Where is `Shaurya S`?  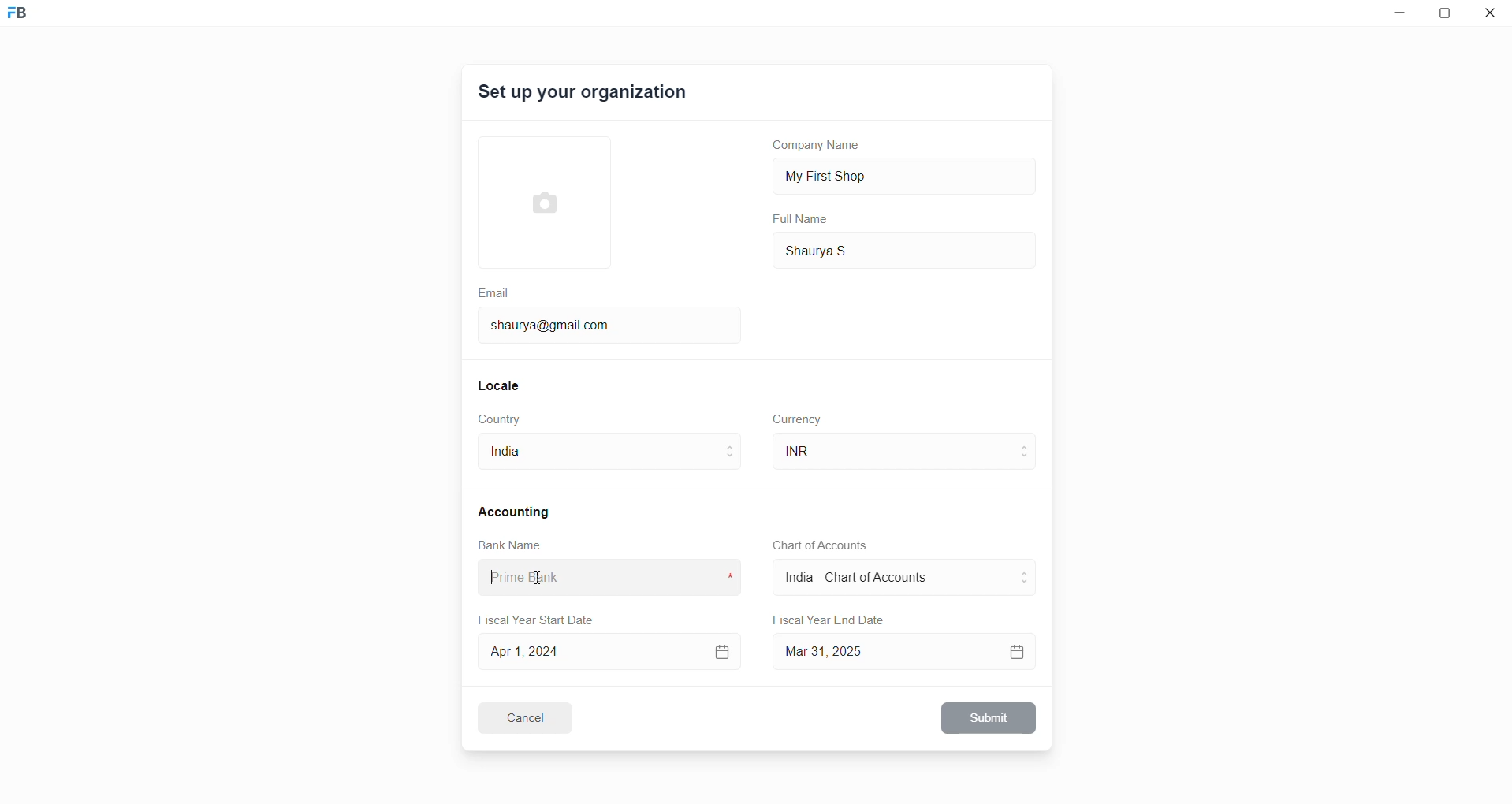 Shaurya S is located at coordinates (840, 249).